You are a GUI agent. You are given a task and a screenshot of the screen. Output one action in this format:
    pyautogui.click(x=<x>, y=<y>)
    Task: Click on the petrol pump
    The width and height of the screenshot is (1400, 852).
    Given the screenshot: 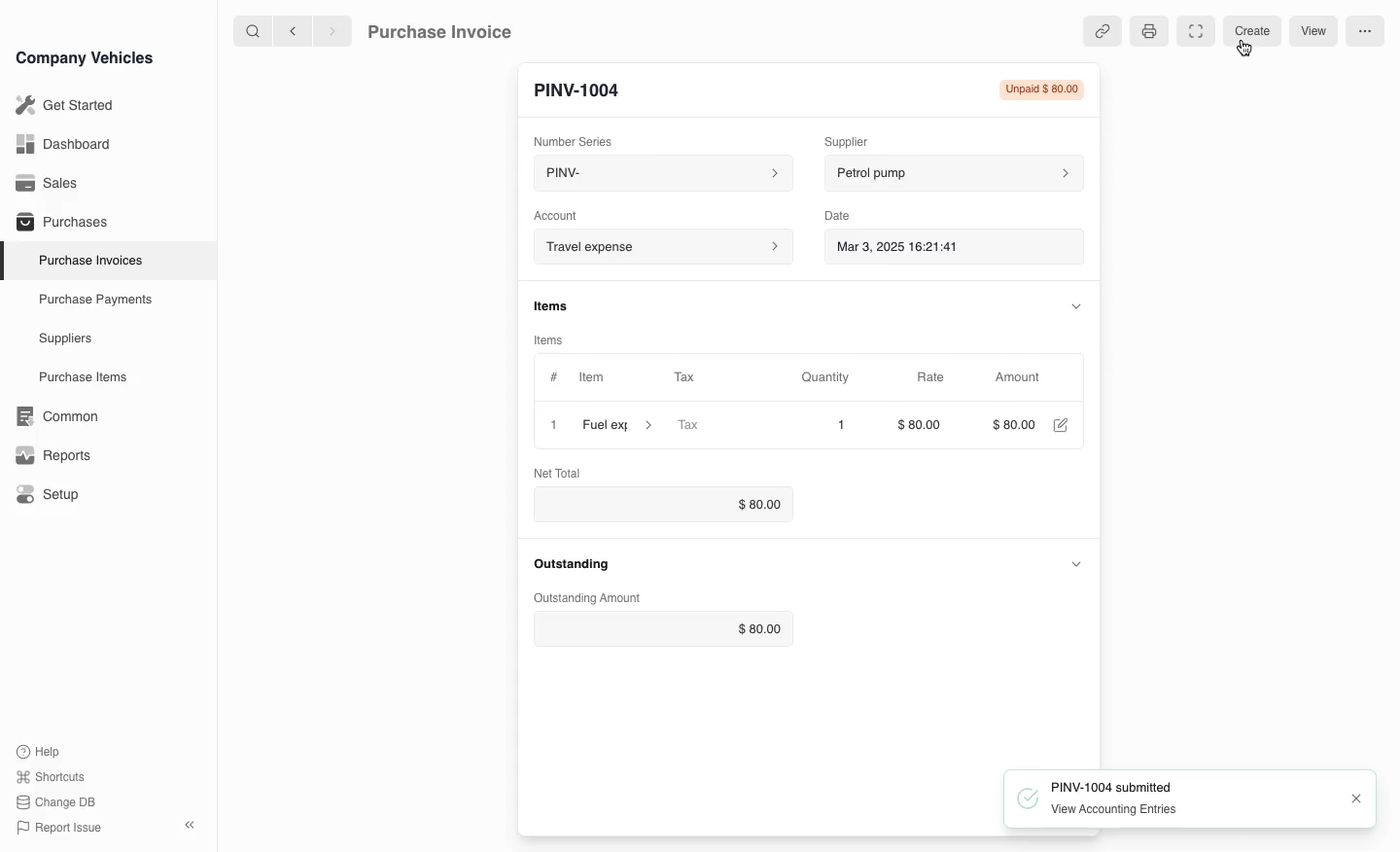 What is the action you would take?
    pyautogui.click(x=951, y=174)
    